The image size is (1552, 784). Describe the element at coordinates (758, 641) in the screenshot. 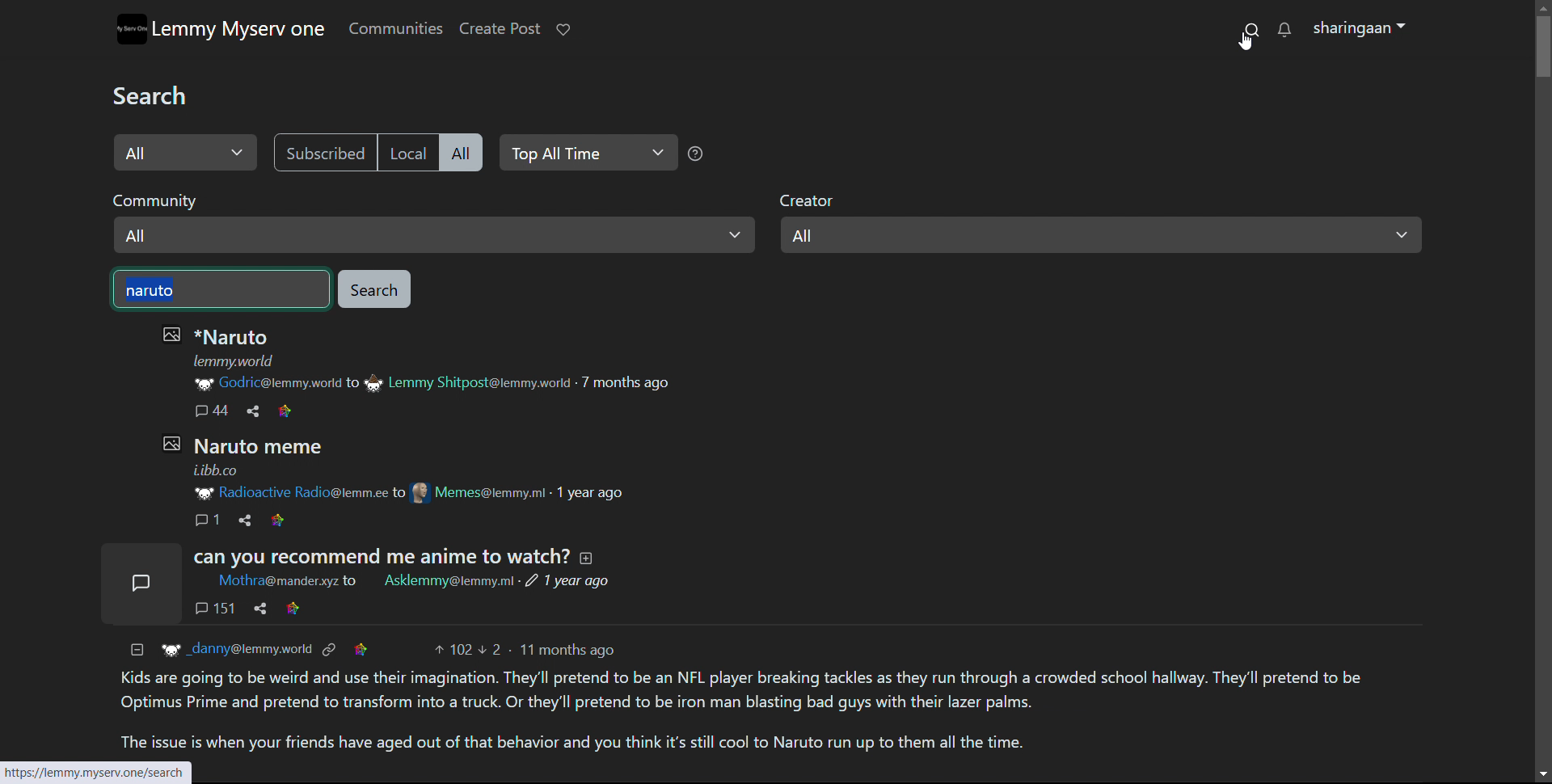

I see `search result related to "Naruto"` at that location.